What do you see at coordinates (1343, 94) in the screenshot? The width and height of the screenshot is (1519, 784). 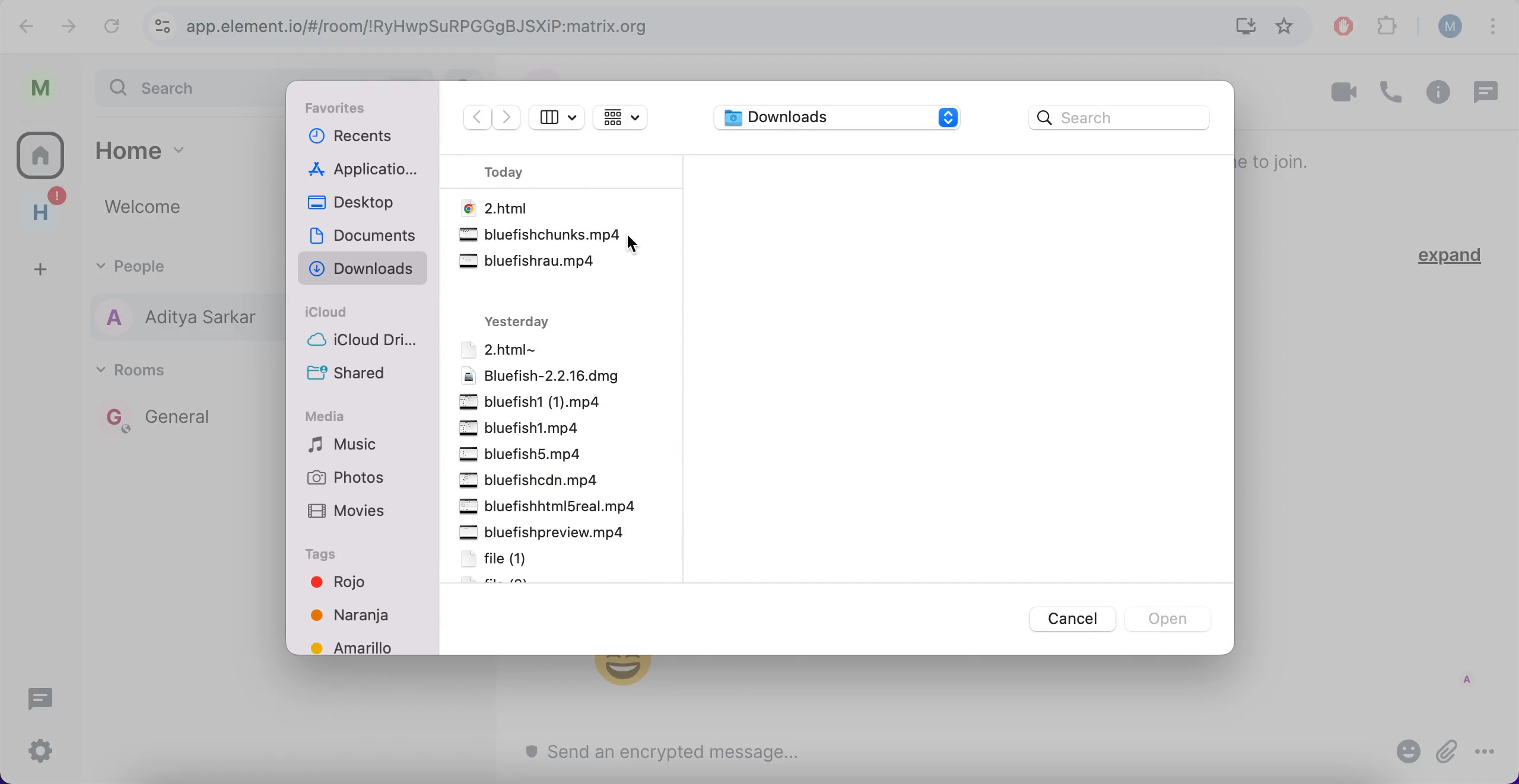 I see `video call` at bounding box center [1343, 94].